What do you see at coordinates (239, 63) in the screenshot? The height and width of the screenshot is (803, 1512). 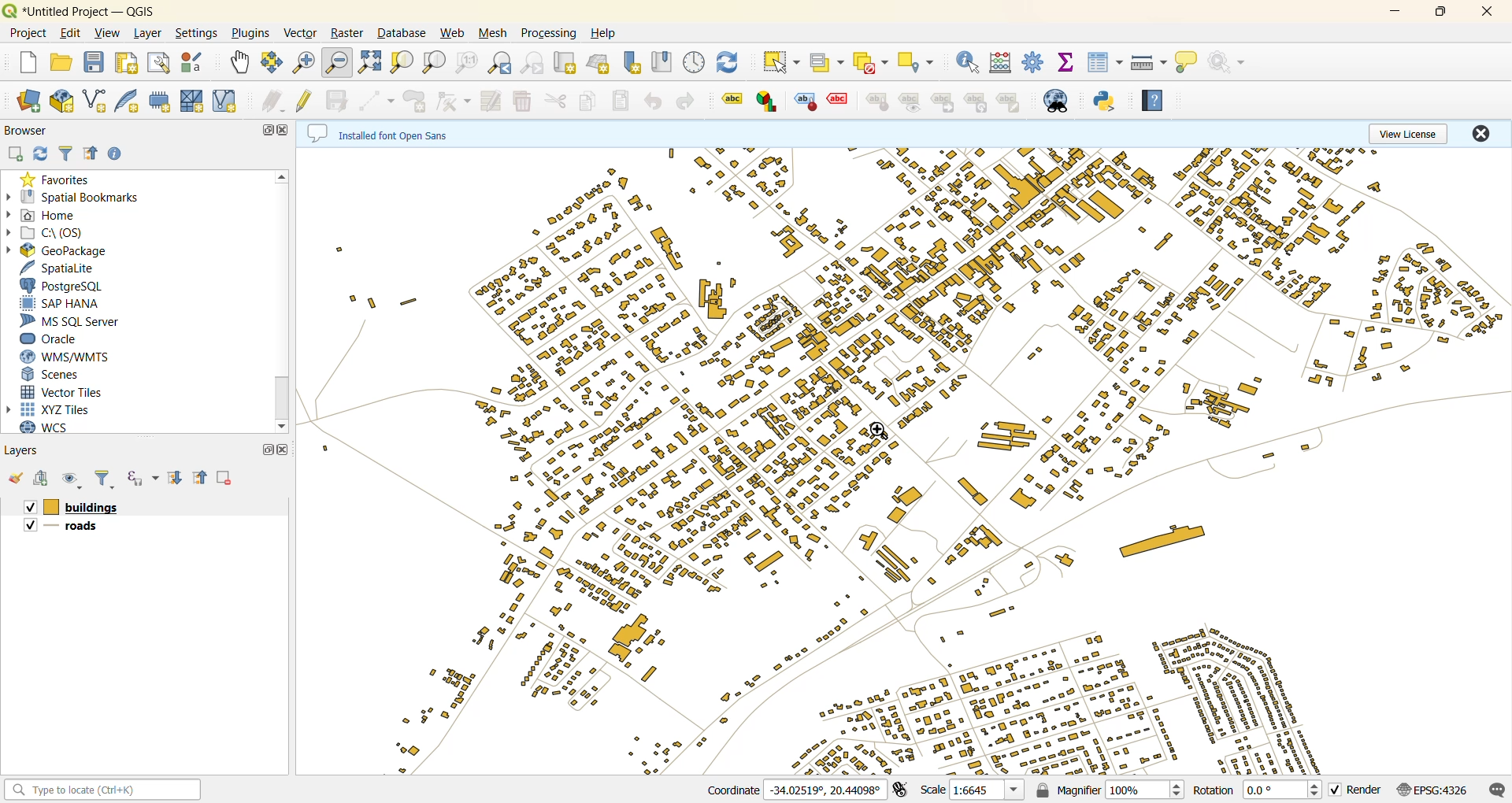 I see `pan map` at bounding box center [239, 63].